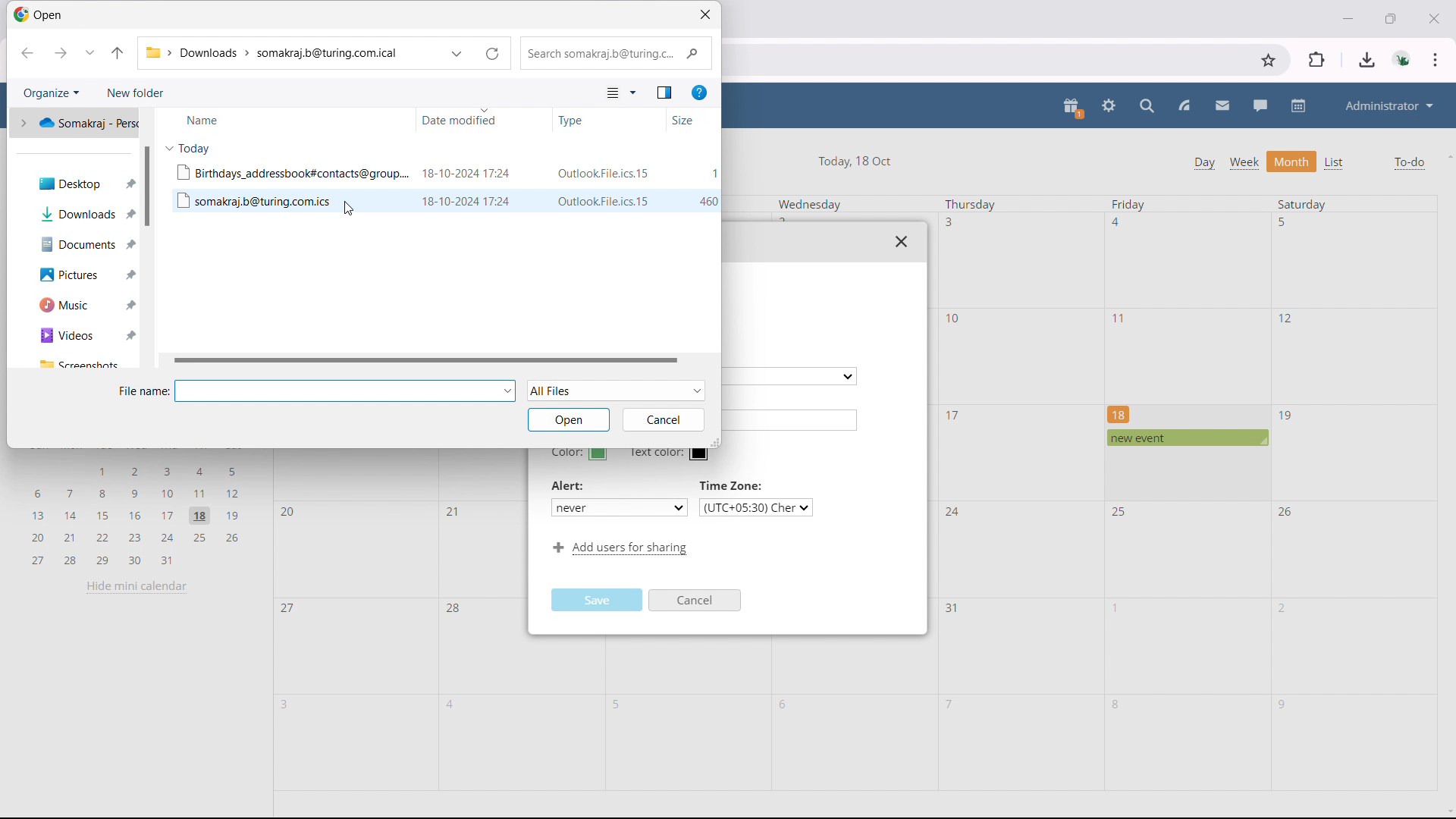 This screenshot has height=819, width=1456. I want to click on week, so click(1244, 162).